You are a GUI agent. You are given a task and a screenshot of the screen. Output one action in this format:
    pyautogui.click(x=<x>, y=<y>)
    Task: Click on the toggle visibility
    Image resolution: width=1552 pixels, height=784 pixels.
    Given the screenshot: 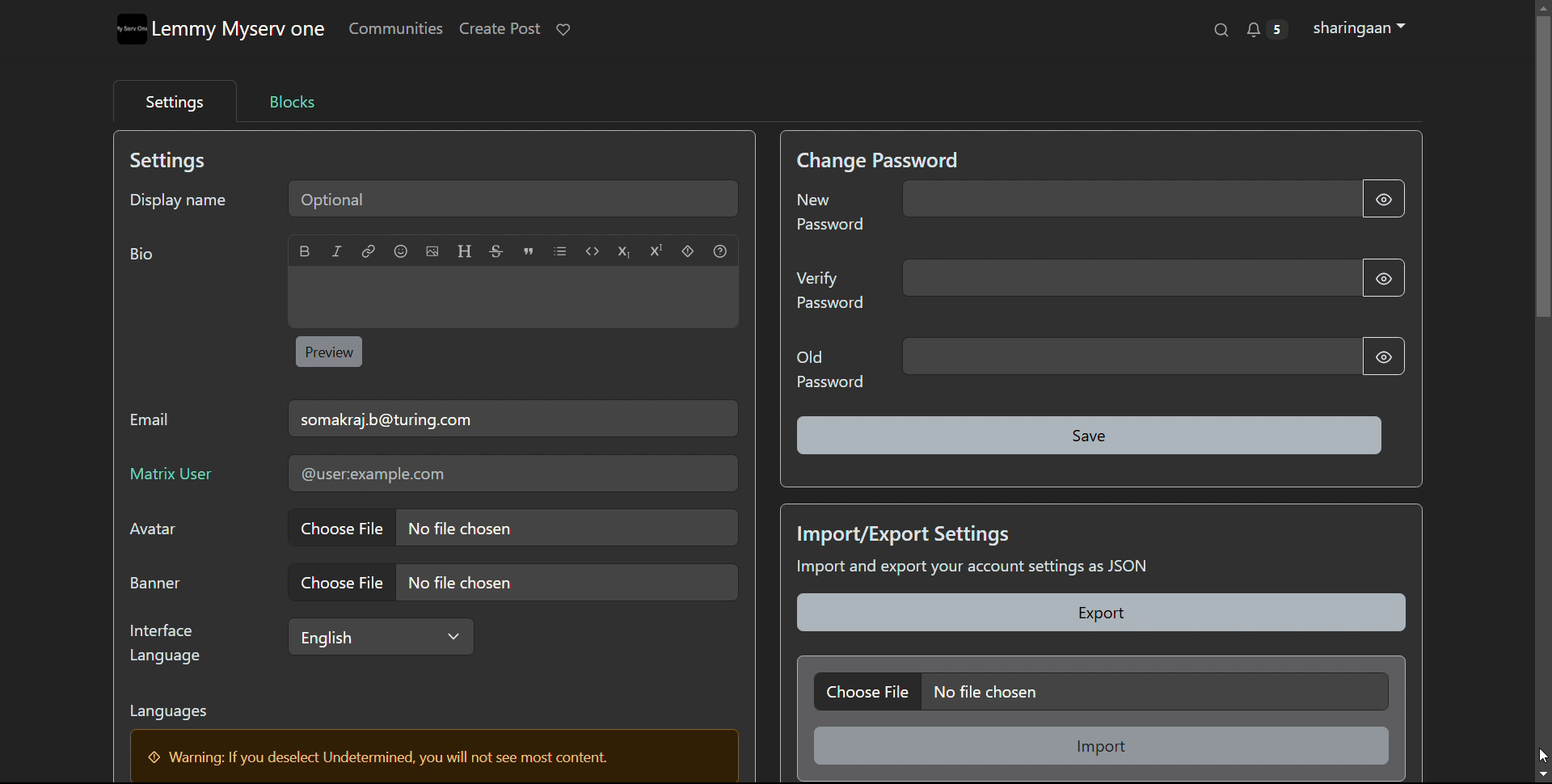 What is the action you would take?
    pyautogui.click(x=1382, y=198)
    